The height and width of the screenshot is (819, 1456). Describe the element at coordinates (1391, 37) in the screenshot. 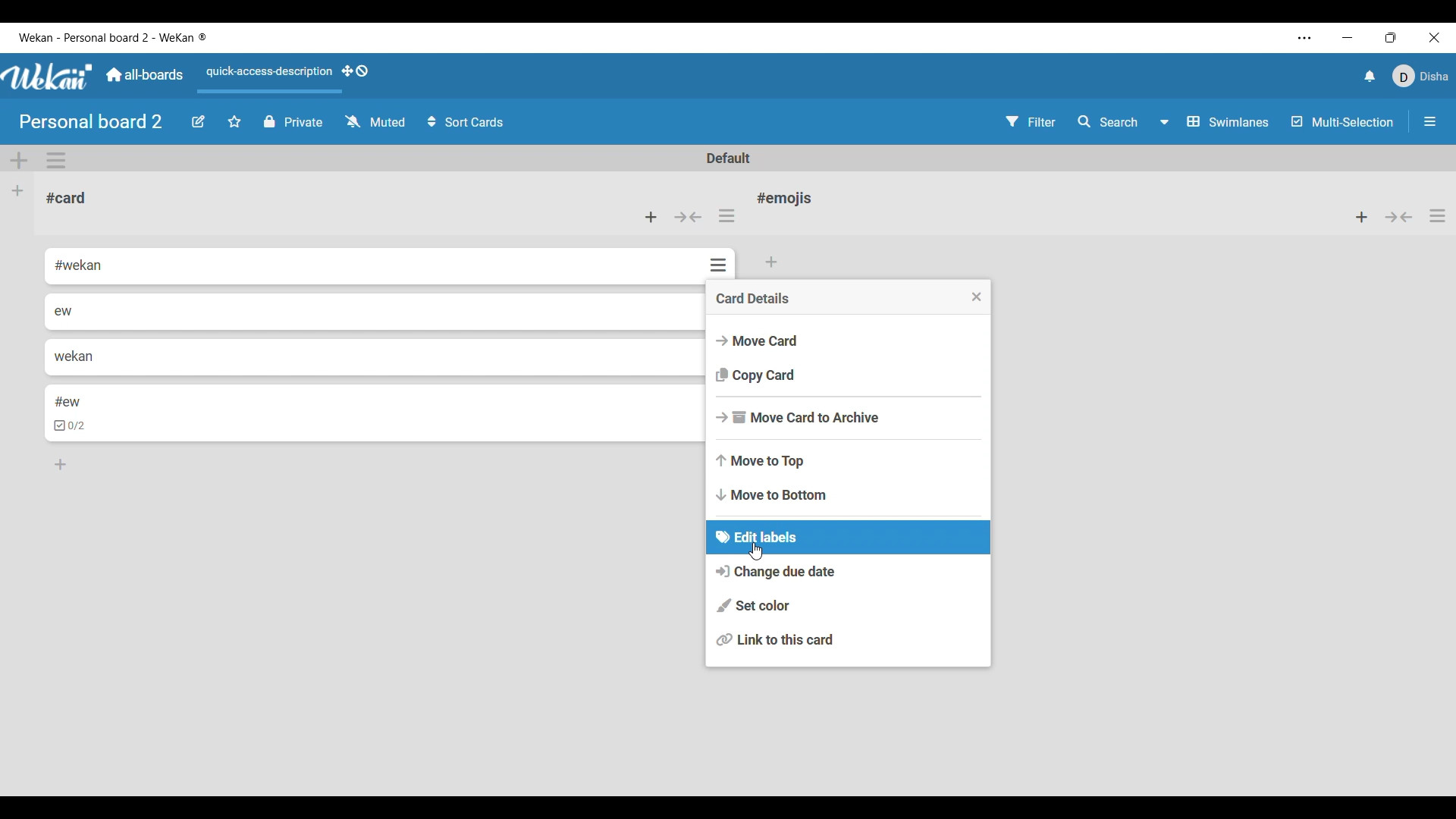

I see `Show interface in a smaller tab` at that location.